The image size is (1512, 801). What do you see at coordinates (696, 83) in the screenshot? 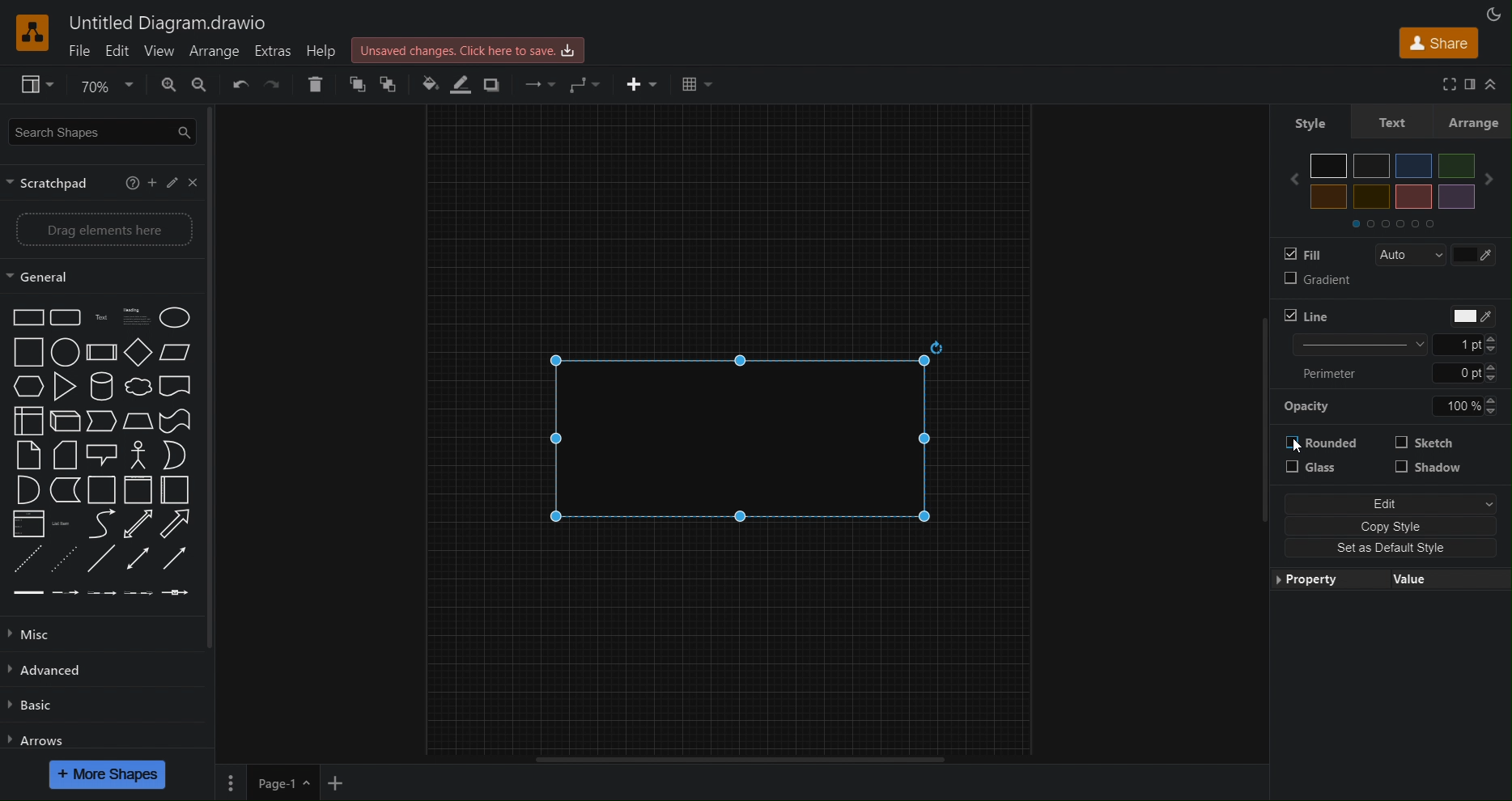
I see `Table` at bounding box center [696, 83].